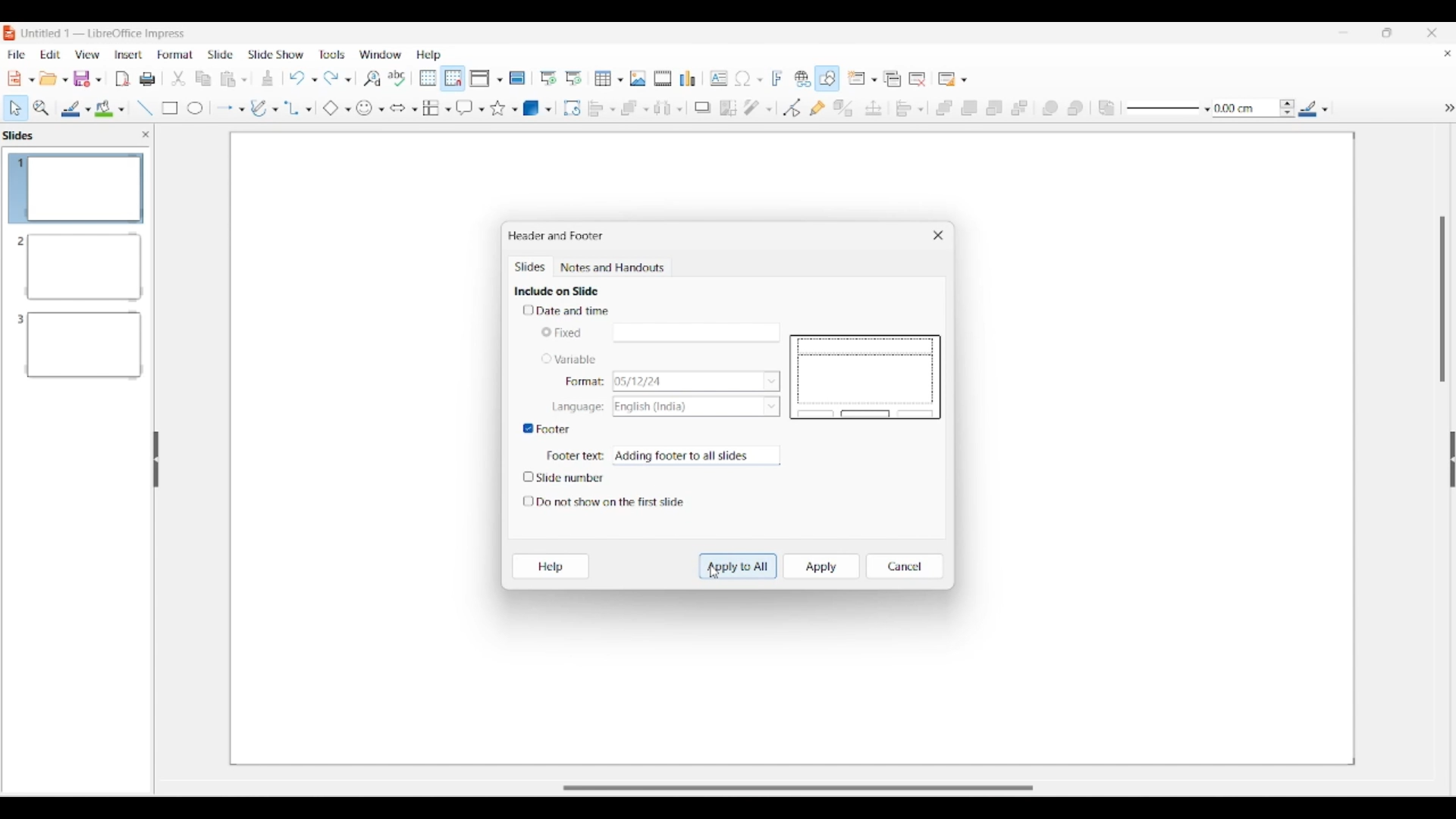 The height and width of the screenshot is (819, 1456). Describe the element at coordinates (792, 108) in the screenshot. I see `Toggle point edit mode` at that location.